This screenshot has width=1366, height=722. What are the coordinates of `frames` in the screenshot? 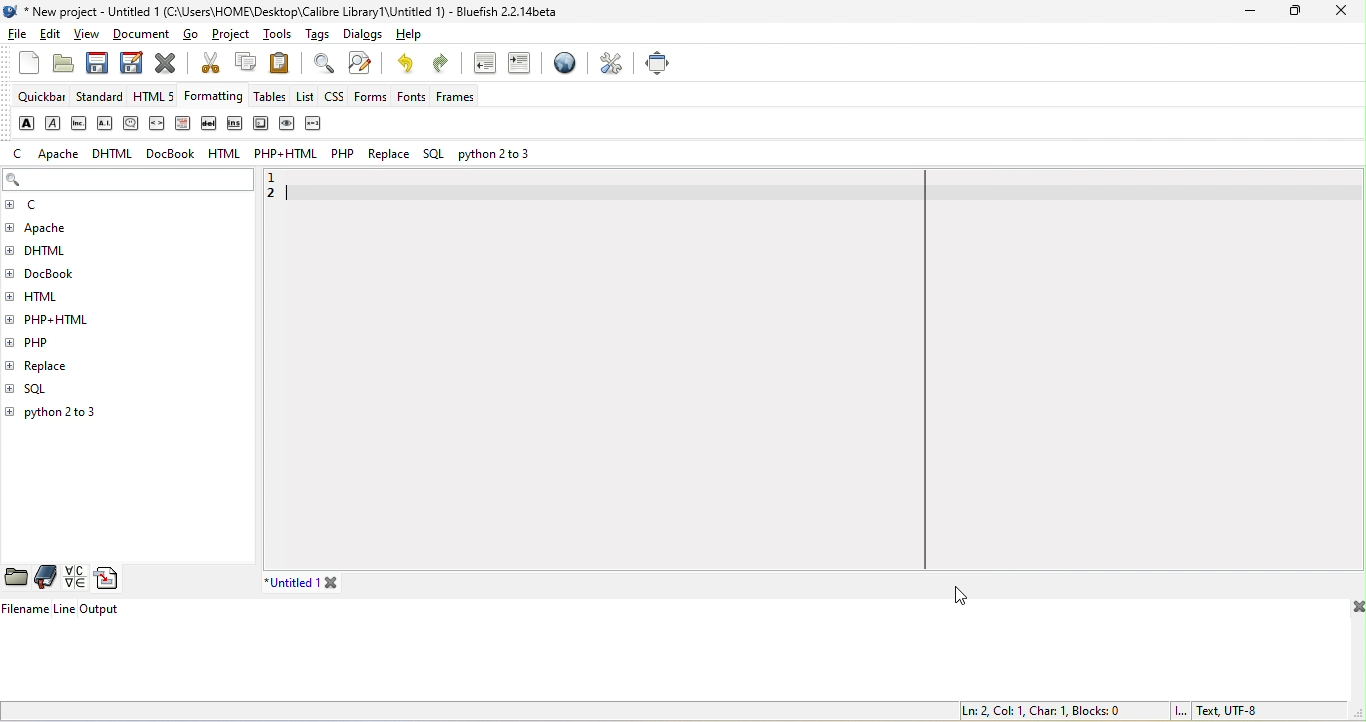 It's located at (456, 98).